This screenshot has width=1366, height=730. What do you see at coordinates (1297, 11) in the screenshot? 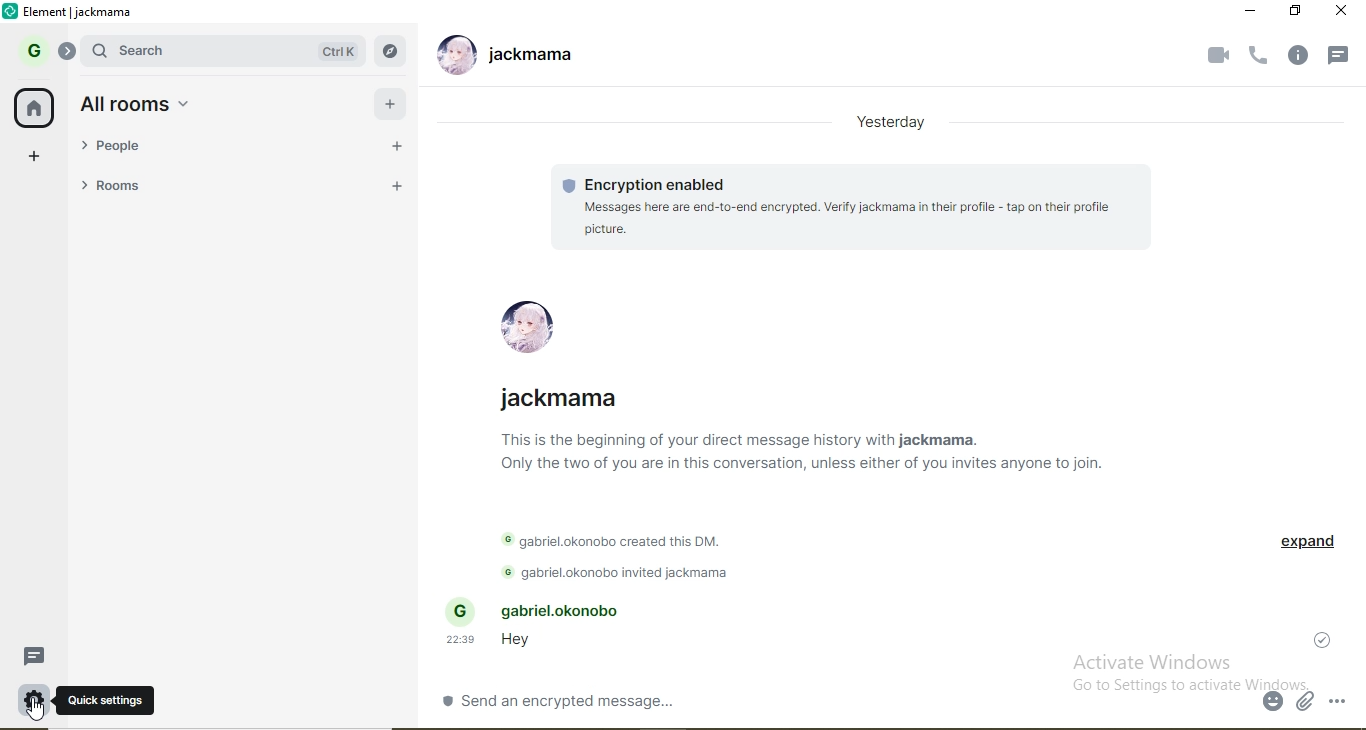
I see `restore` at bounding box center [1297, 11].